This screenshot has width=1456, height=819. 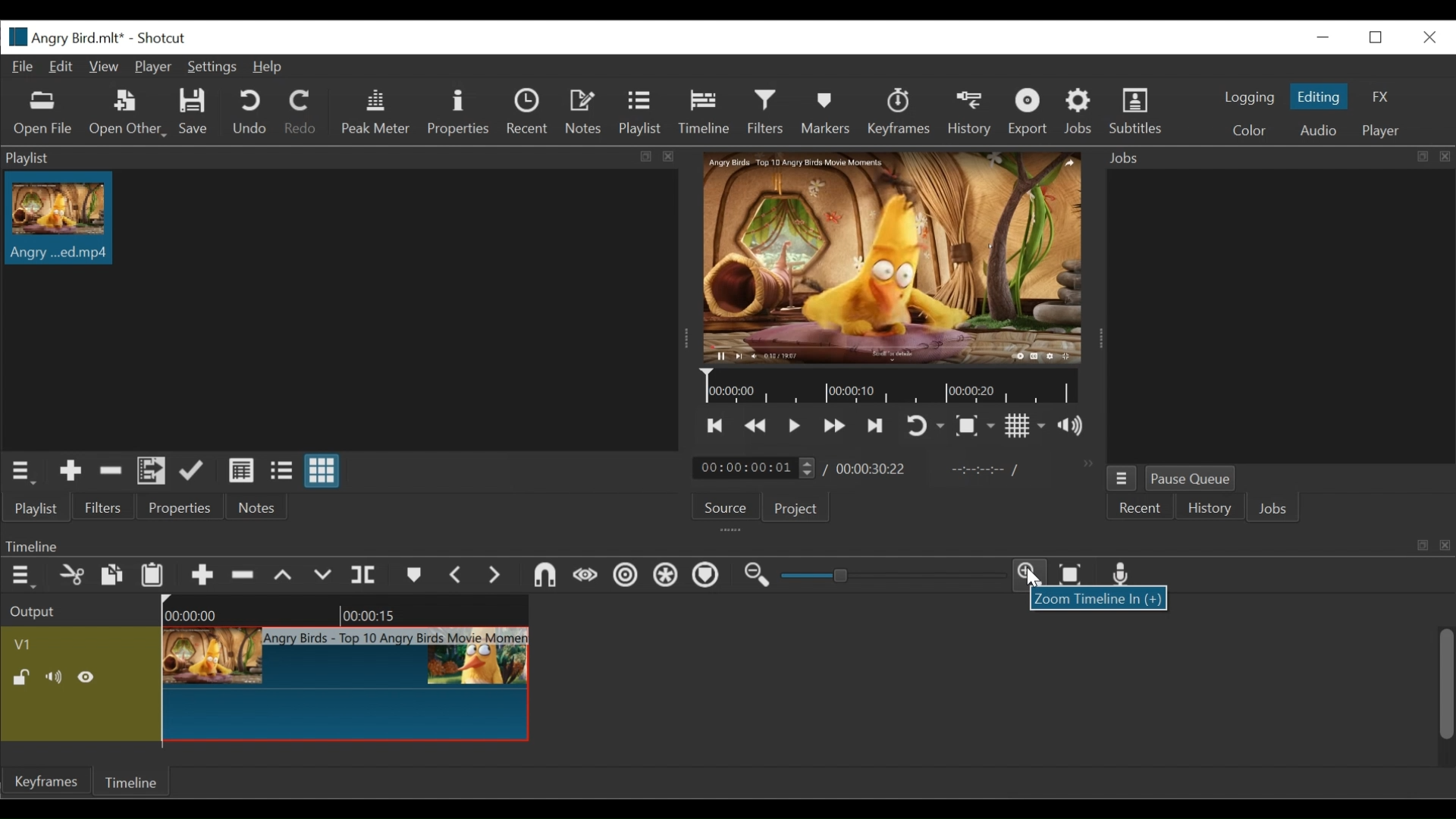 What do you see at coordinates (871, 469) in the screenshot?
I see `Total duration` at bounding box center [871, 469].